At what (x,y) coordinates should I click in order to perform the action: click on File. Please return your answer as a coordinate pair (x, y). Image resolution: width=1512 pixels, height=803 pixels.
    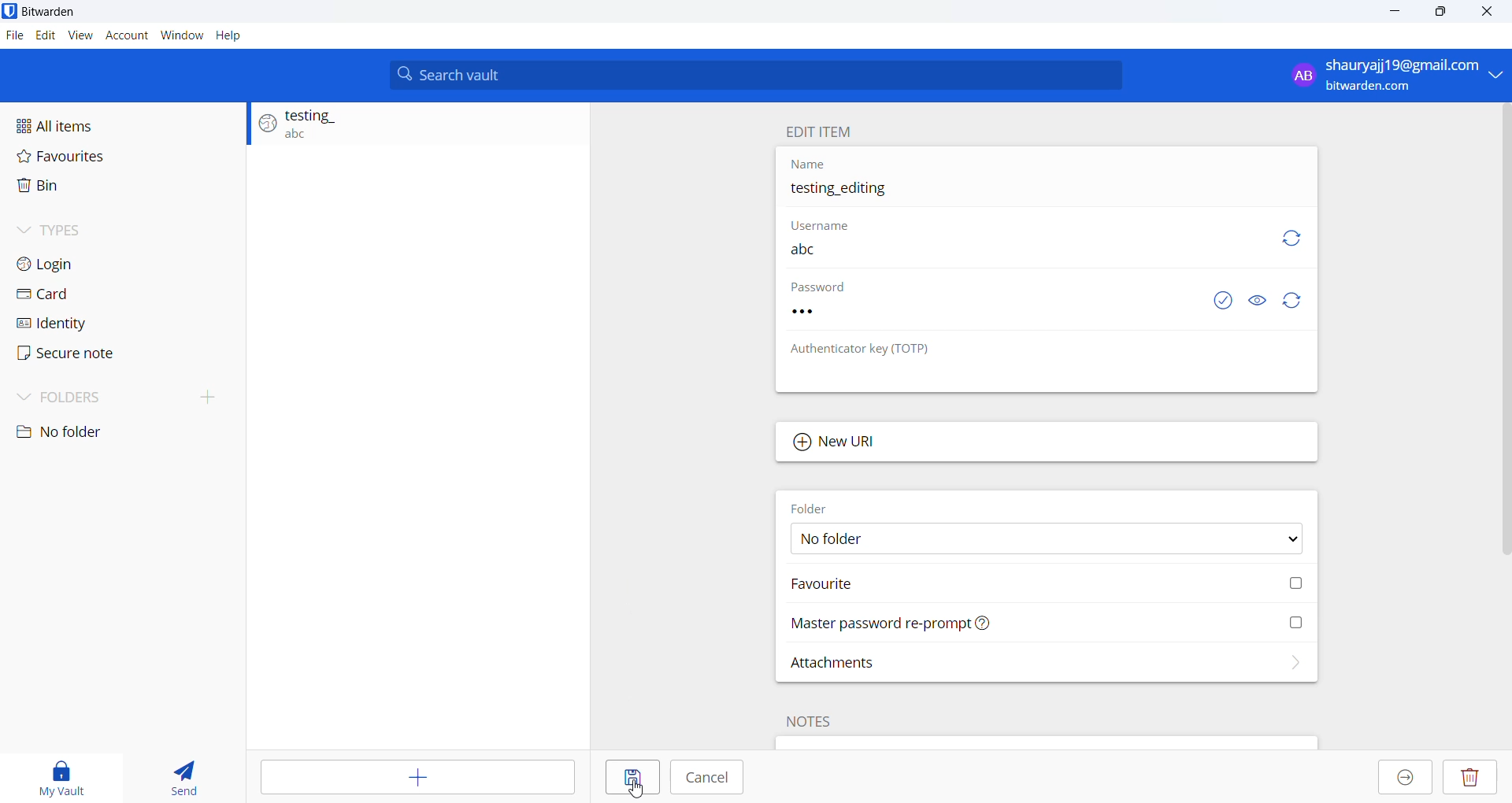
    Looking at the image, I should click on (15, 37).